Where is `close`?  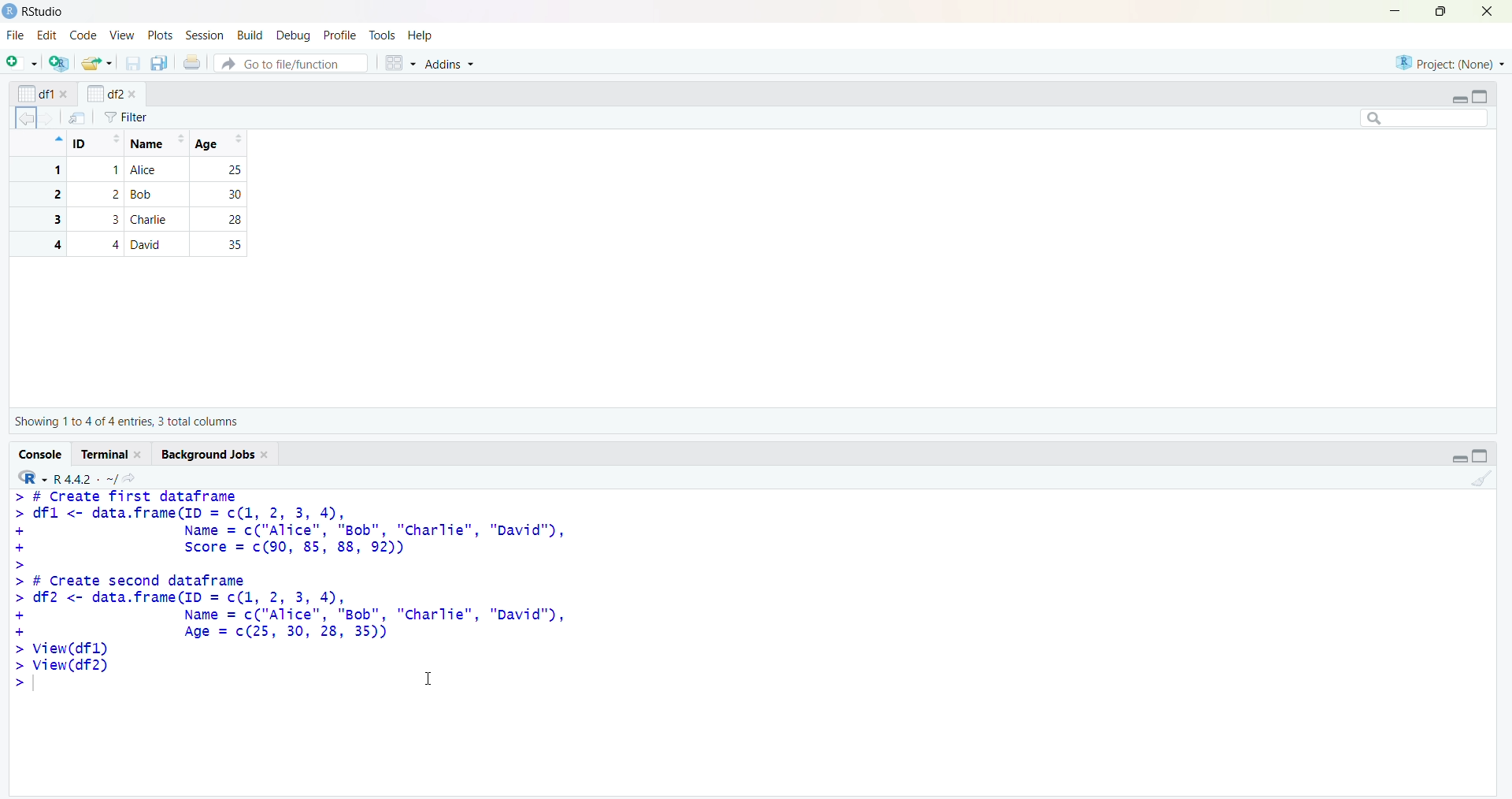
close is located at coordinates (267, 455).